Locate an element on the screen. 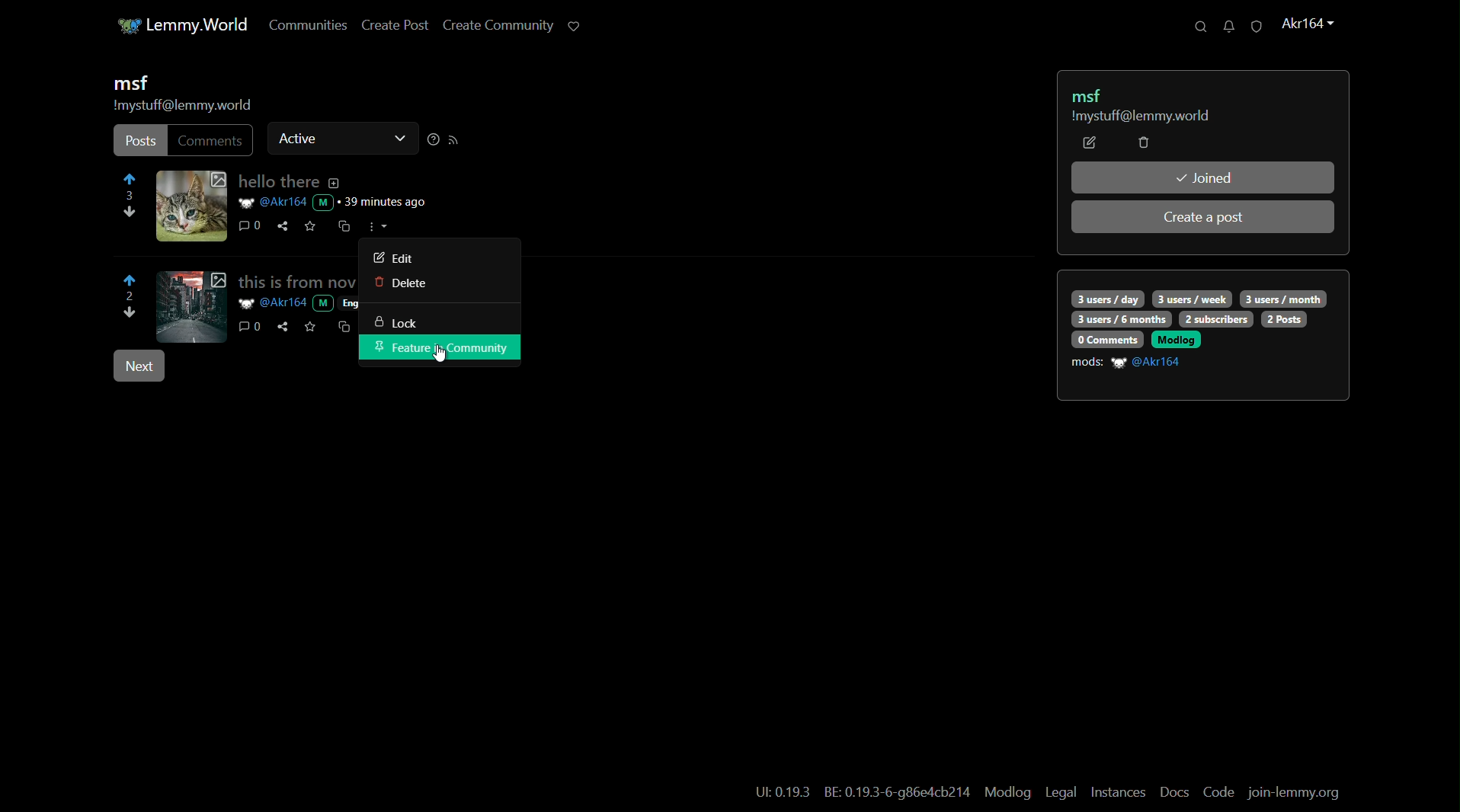 The image size is (1460, 812). post image is located at coordinates (191, 206).